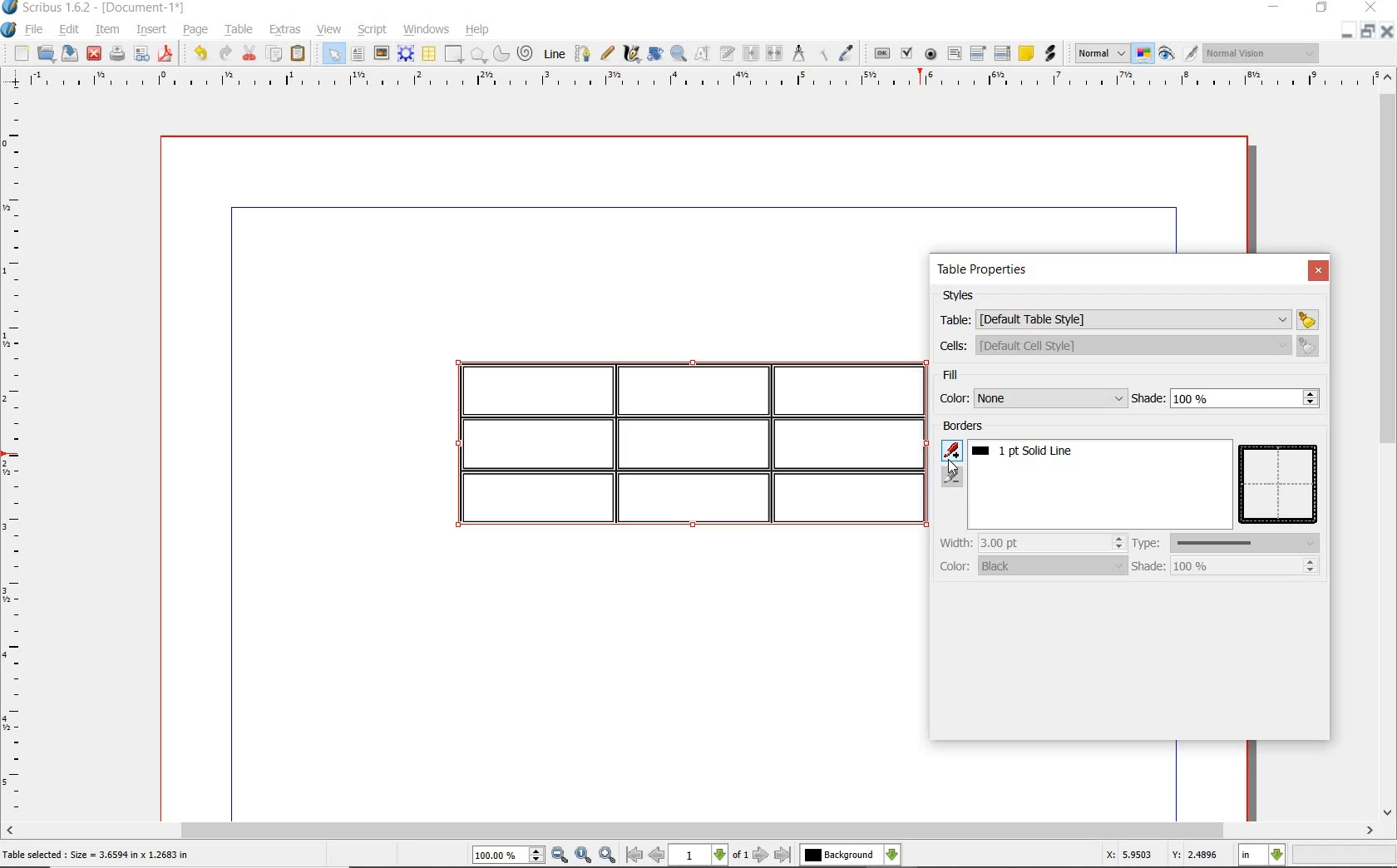  What do you see at coordinates (1389, 30) in the screenshot?
I see `CLOSE` at bounding box center [1389, 30].